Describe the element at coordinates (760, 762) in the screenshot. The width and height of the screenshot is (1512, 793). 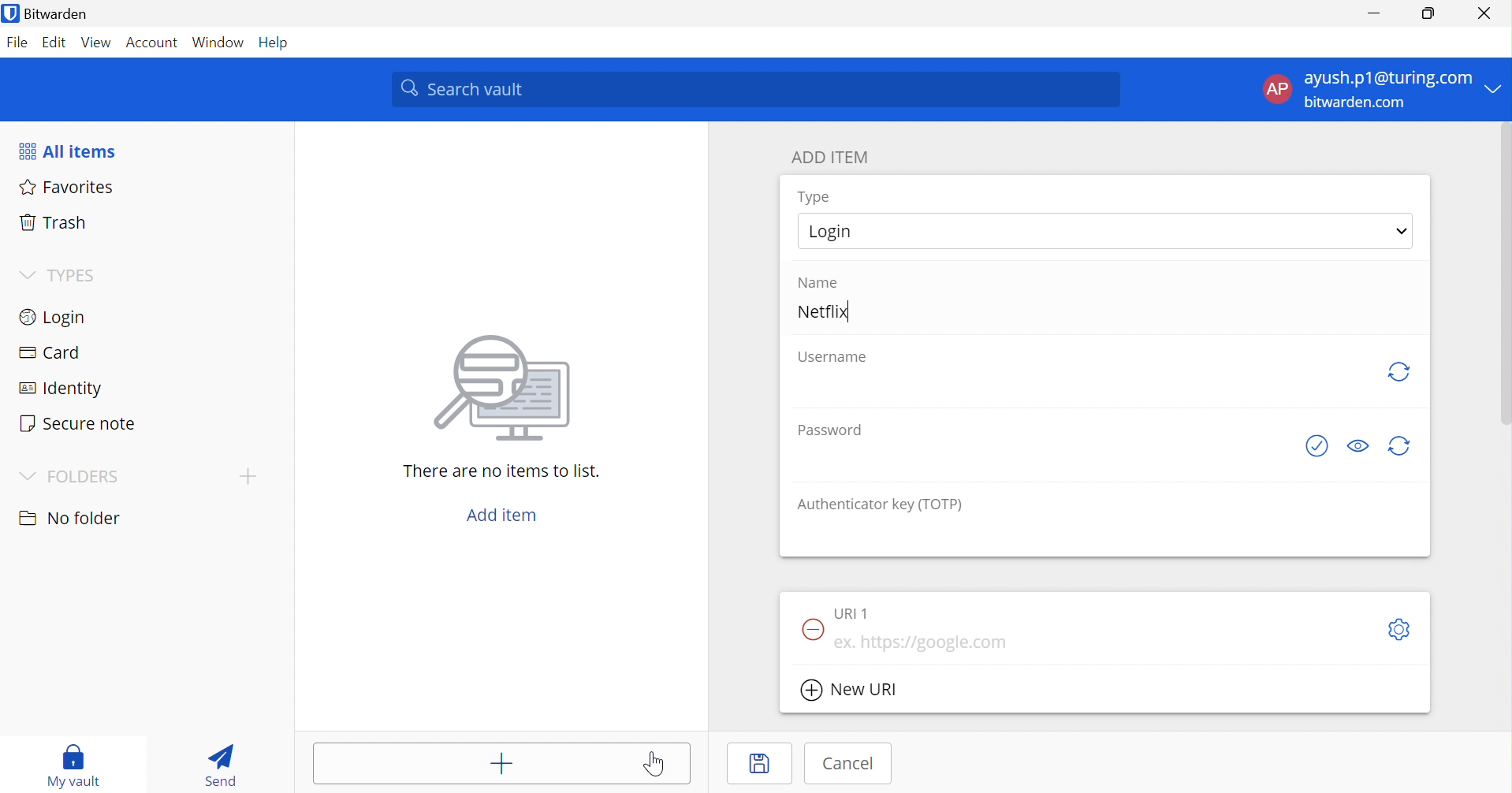
I see `Save` at that location.